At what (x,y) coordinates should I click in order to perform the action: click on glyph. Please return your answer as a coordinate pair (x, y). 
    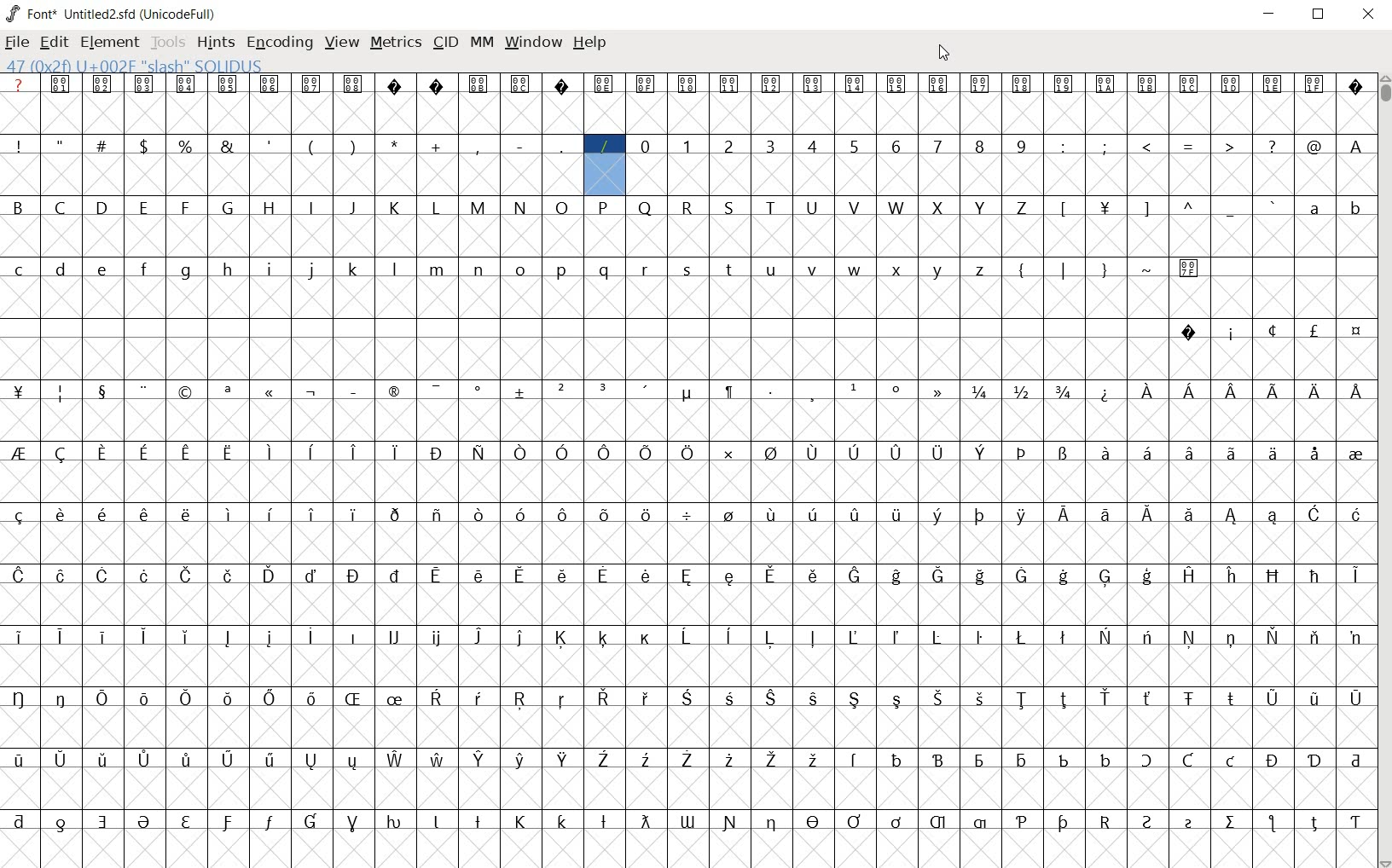
    Looking at the image, I should click on (562, 821).